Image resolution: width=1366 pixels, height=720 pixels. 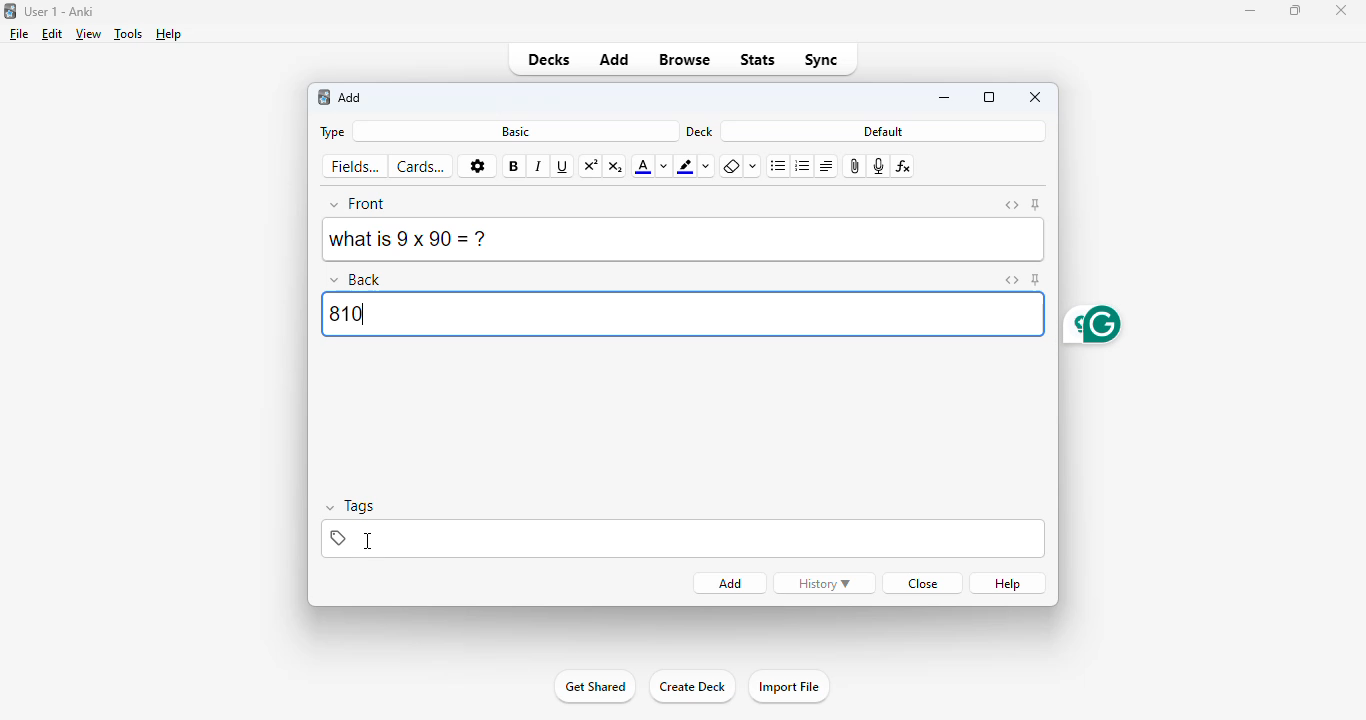 I want to click on minimize, so click(x=946, y=99).